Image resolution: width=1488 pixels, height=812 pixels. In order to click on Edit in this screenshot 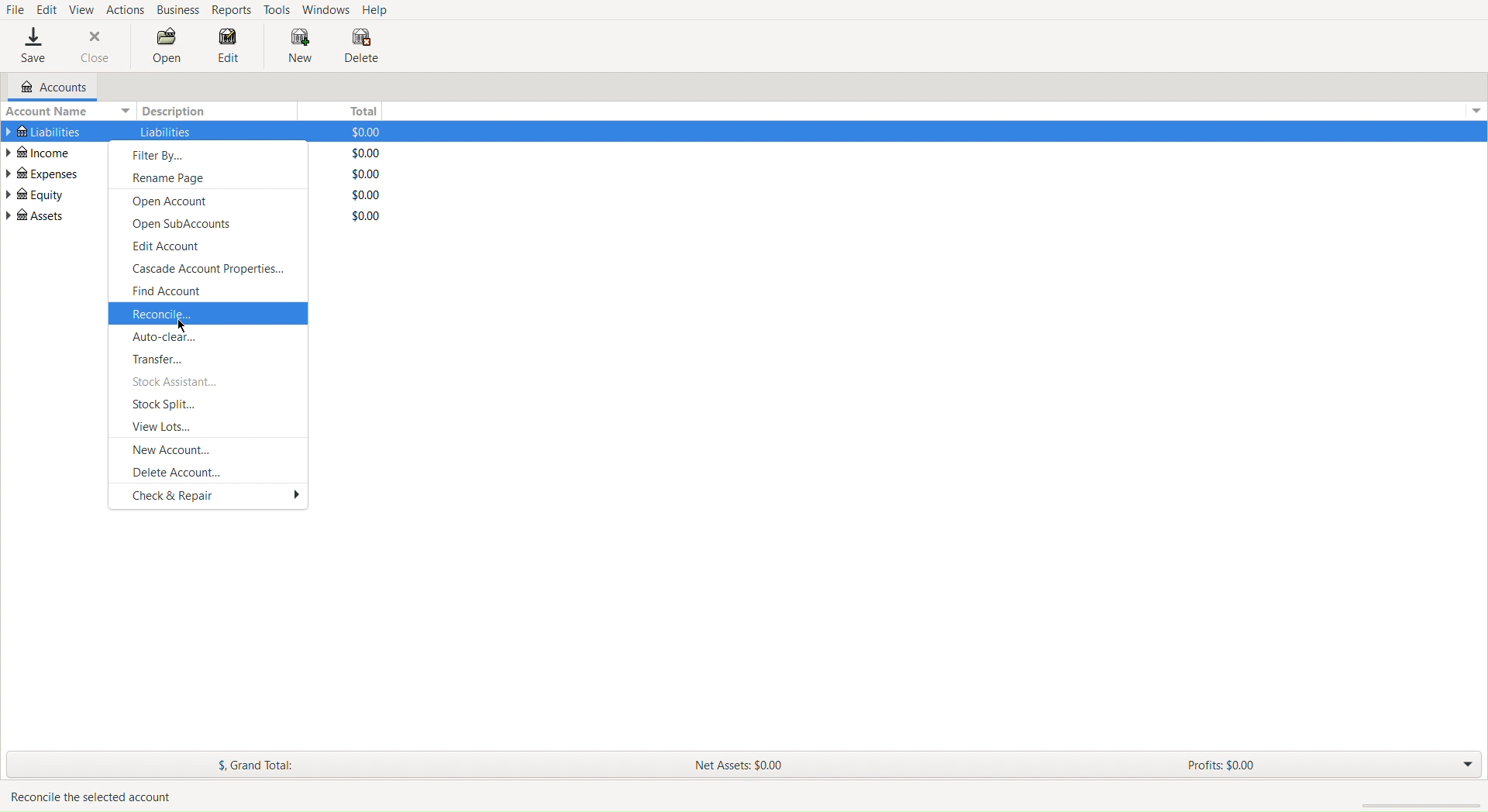, I will do `click(48, 9)`.